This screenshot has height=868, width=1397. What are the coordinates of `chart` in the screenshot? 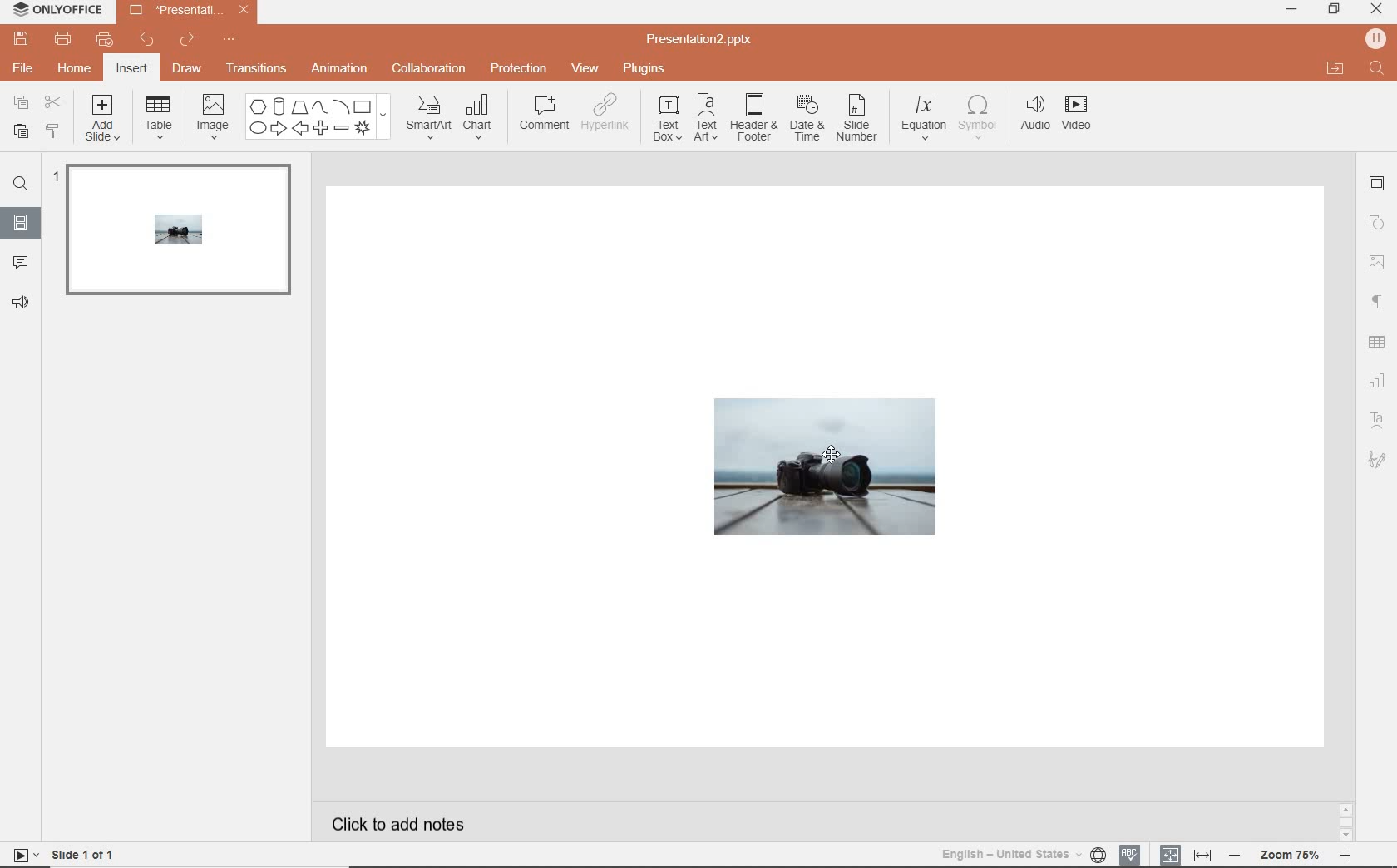 It's located at (483, 118).